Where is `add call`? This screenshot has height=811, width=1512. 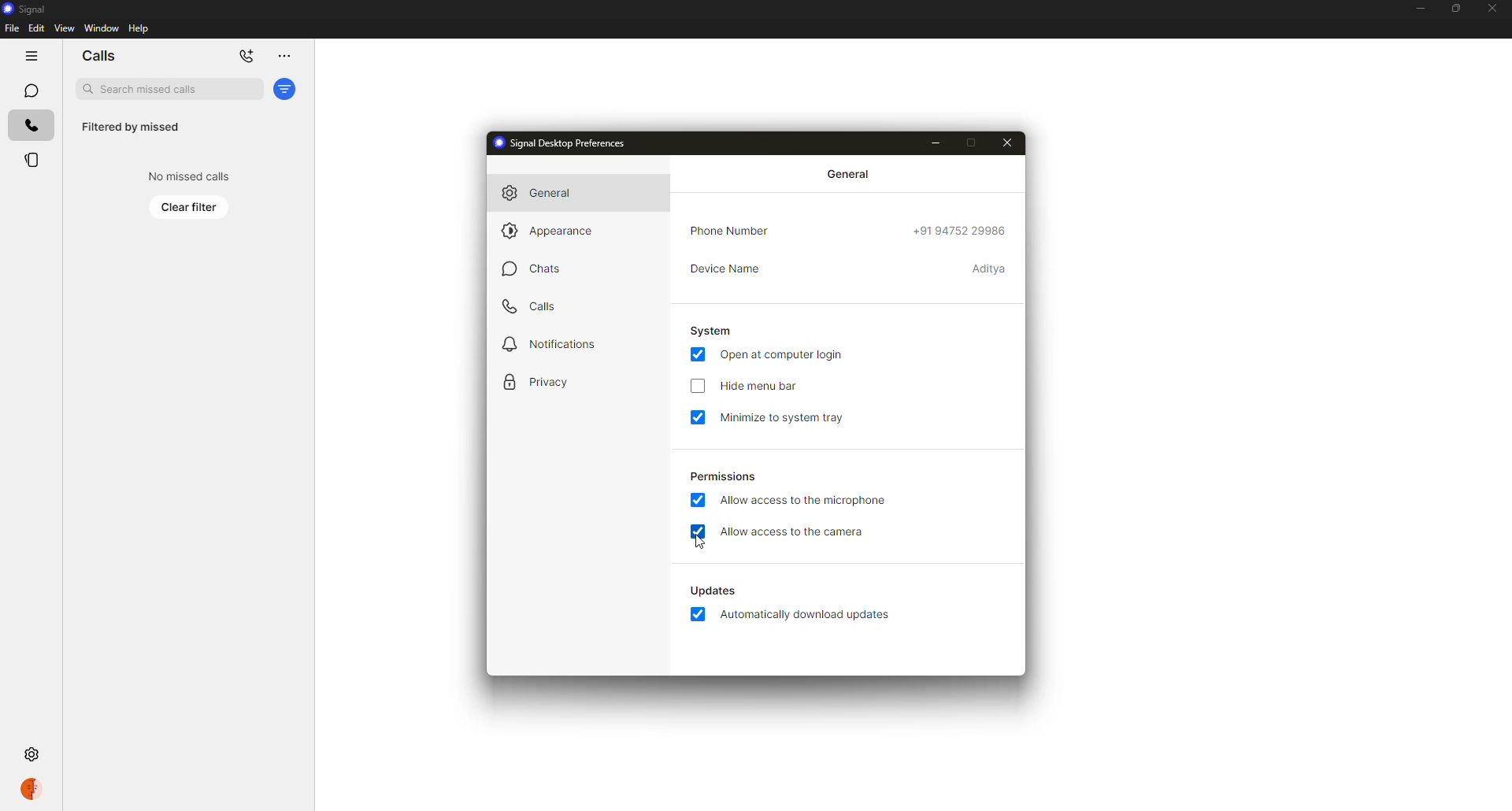 add call is located at coordinates (246, 56).